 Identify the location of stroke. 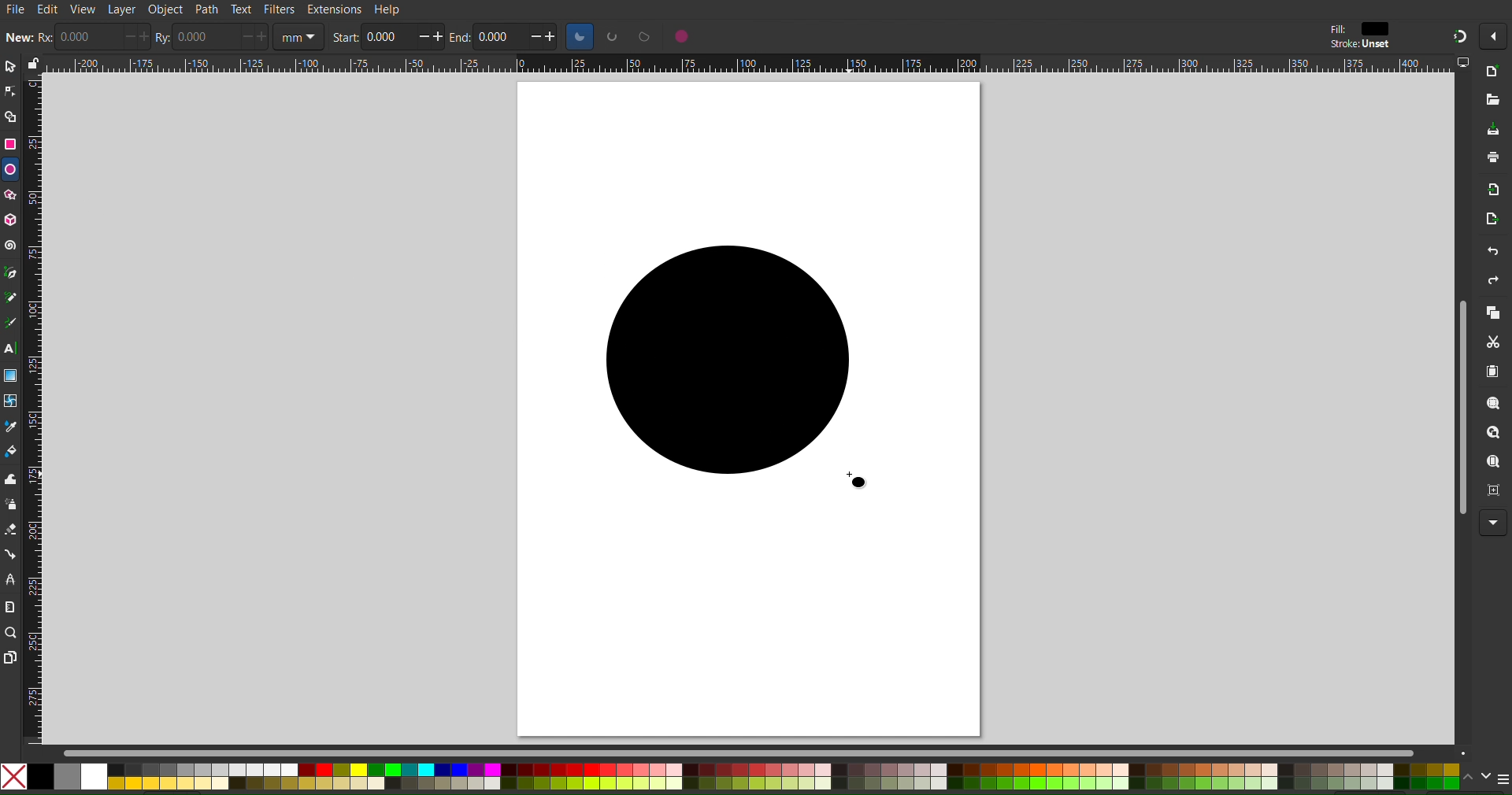
(1362, 44).